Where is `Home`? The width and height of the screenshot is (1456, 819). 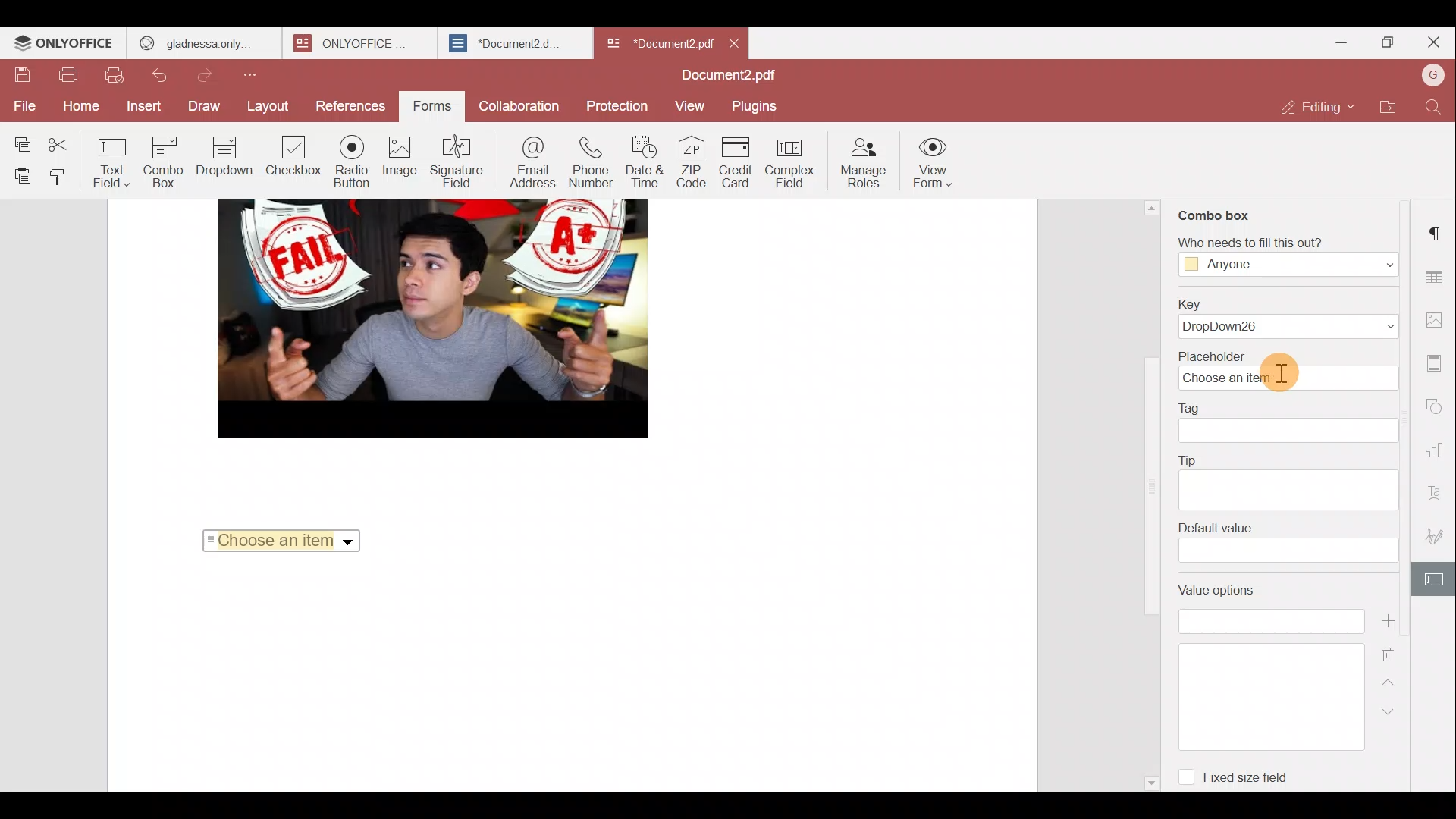 Home is located at coordinates (77, 108).